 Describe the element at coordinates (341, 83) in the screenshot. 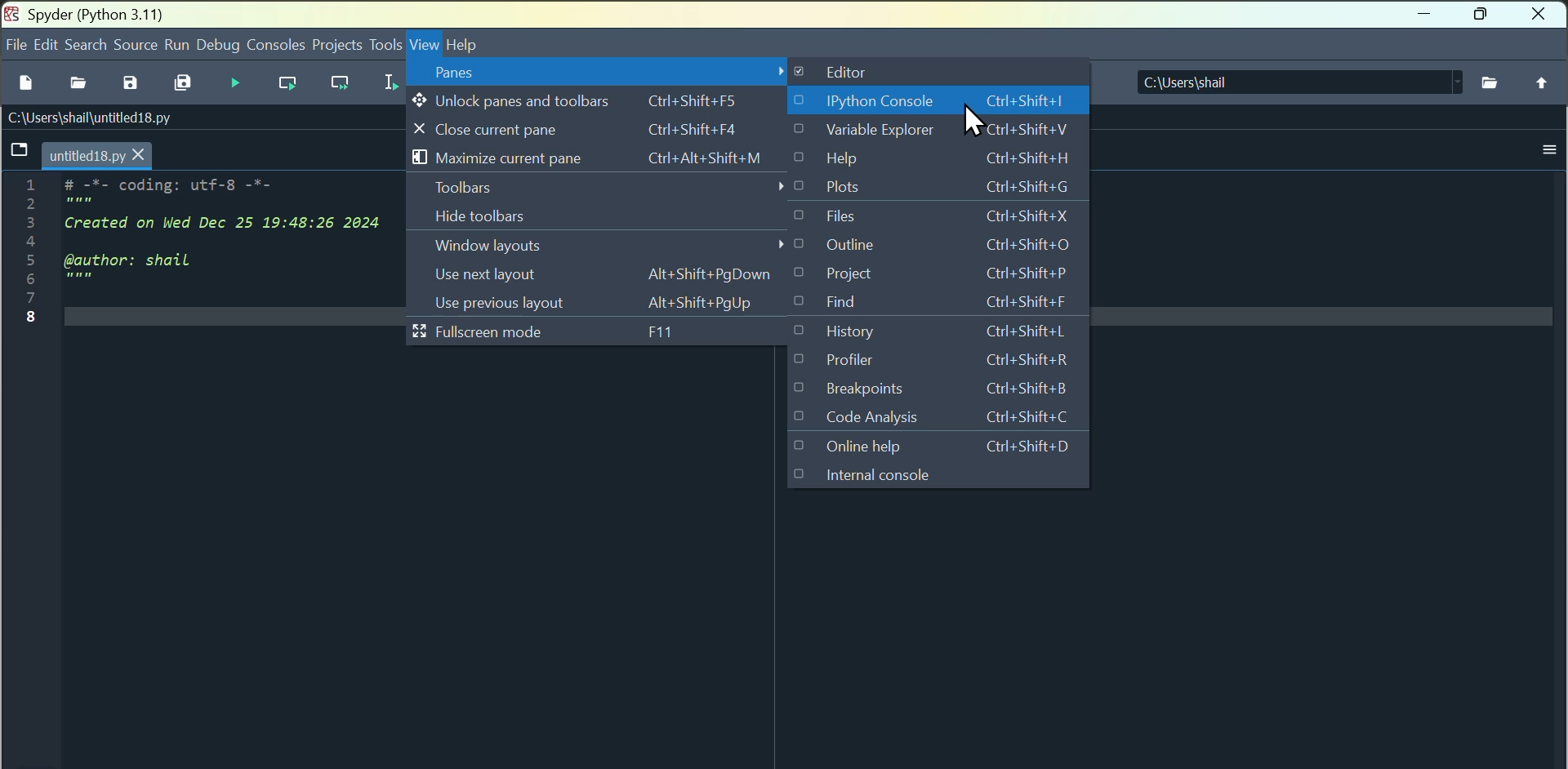

I see `Run current sale and go to the next one` at that location.